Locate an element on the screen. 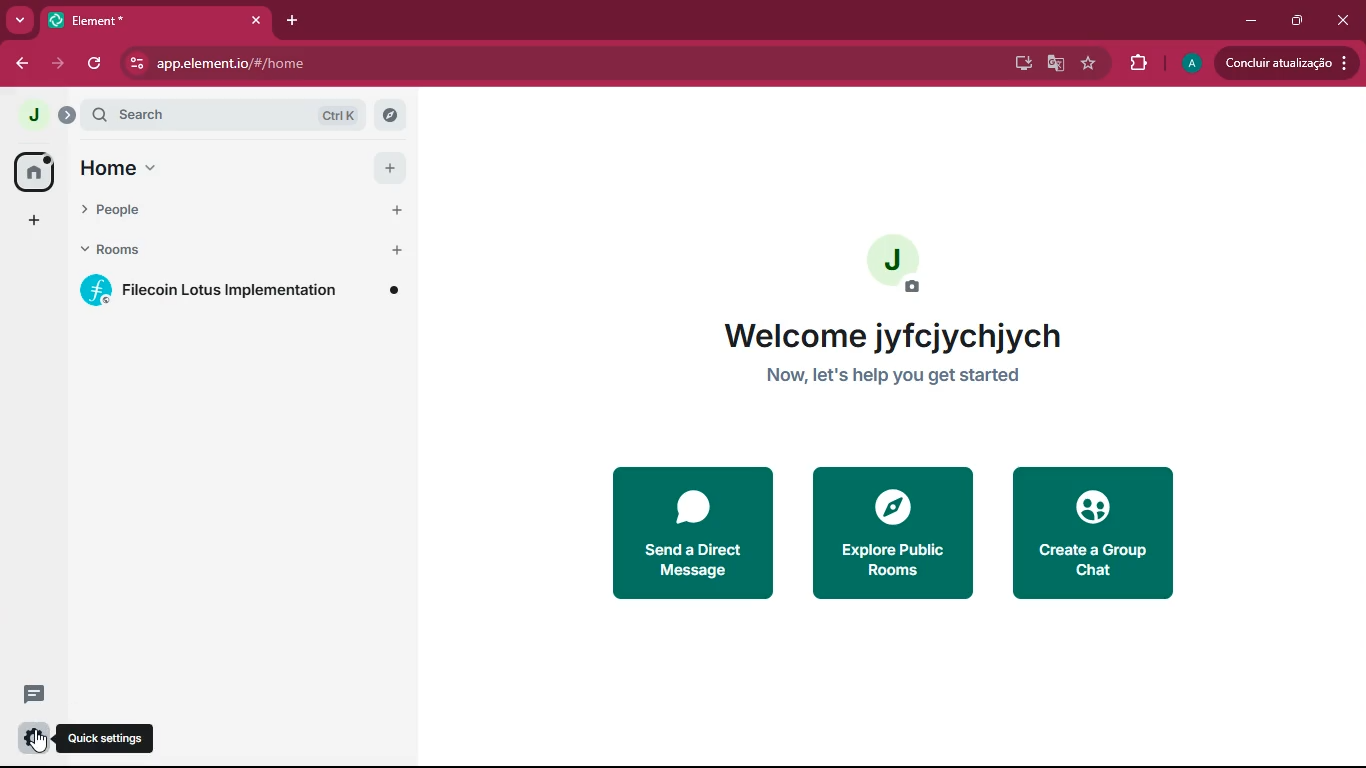 This screenshot has height=768, width=1366. quick settings is located at coordinates (108, 738).